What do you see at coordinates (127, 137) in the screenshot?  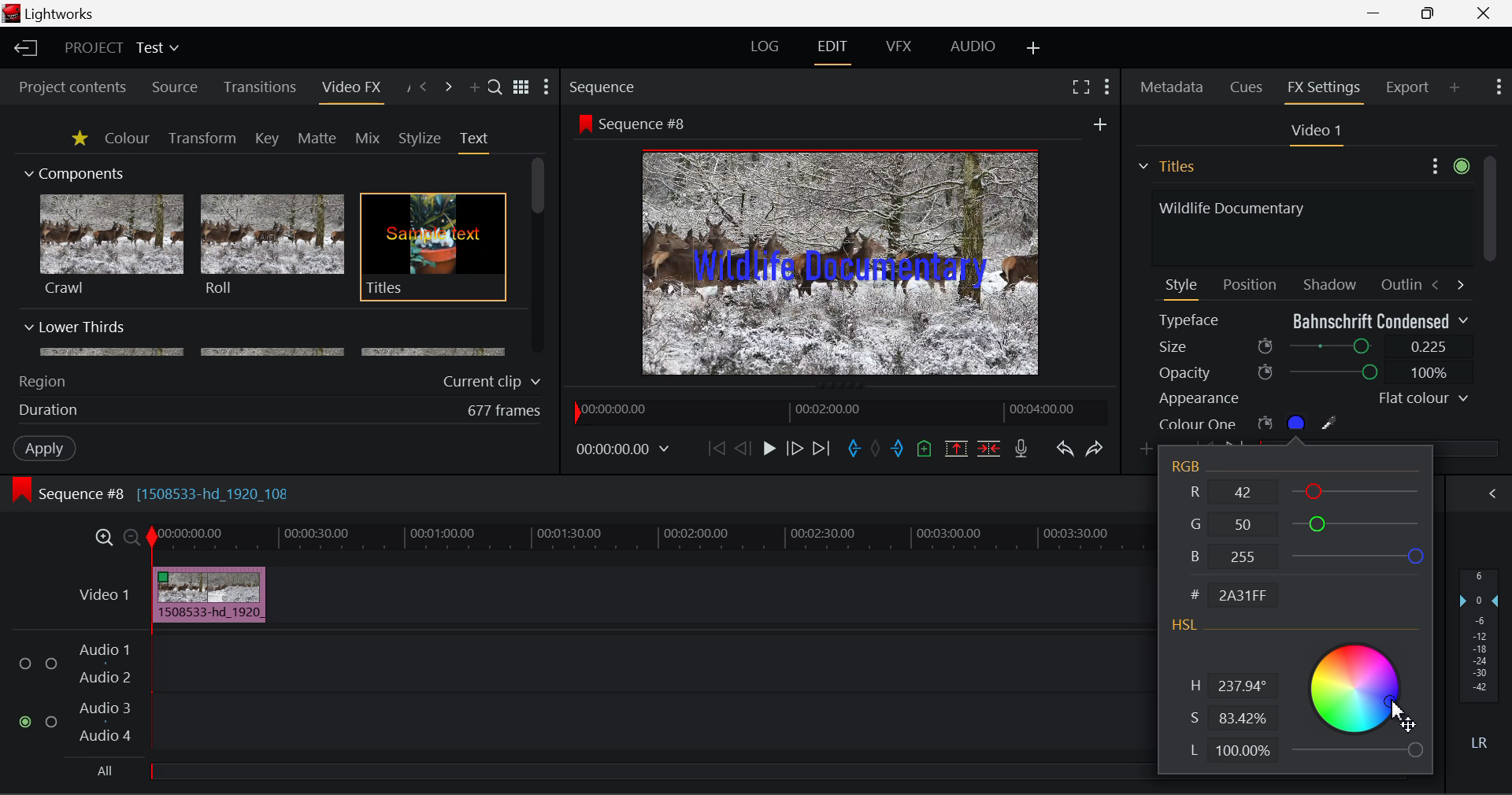 I see `Colour` at bounding box center [127, 137].